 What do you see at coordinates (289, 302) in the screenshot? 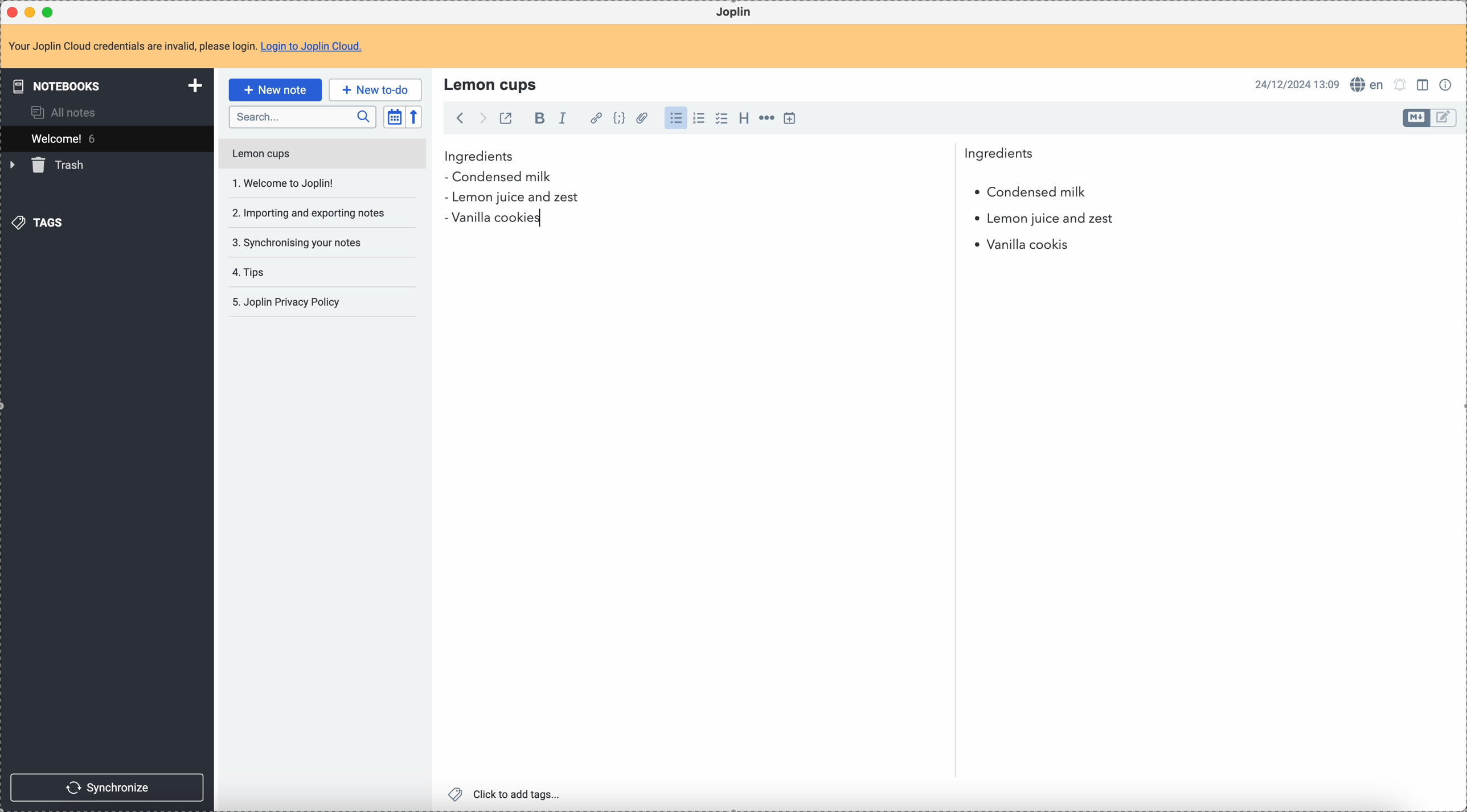
I see `Joplin privacy policy note` at bounding box center [289, 302].